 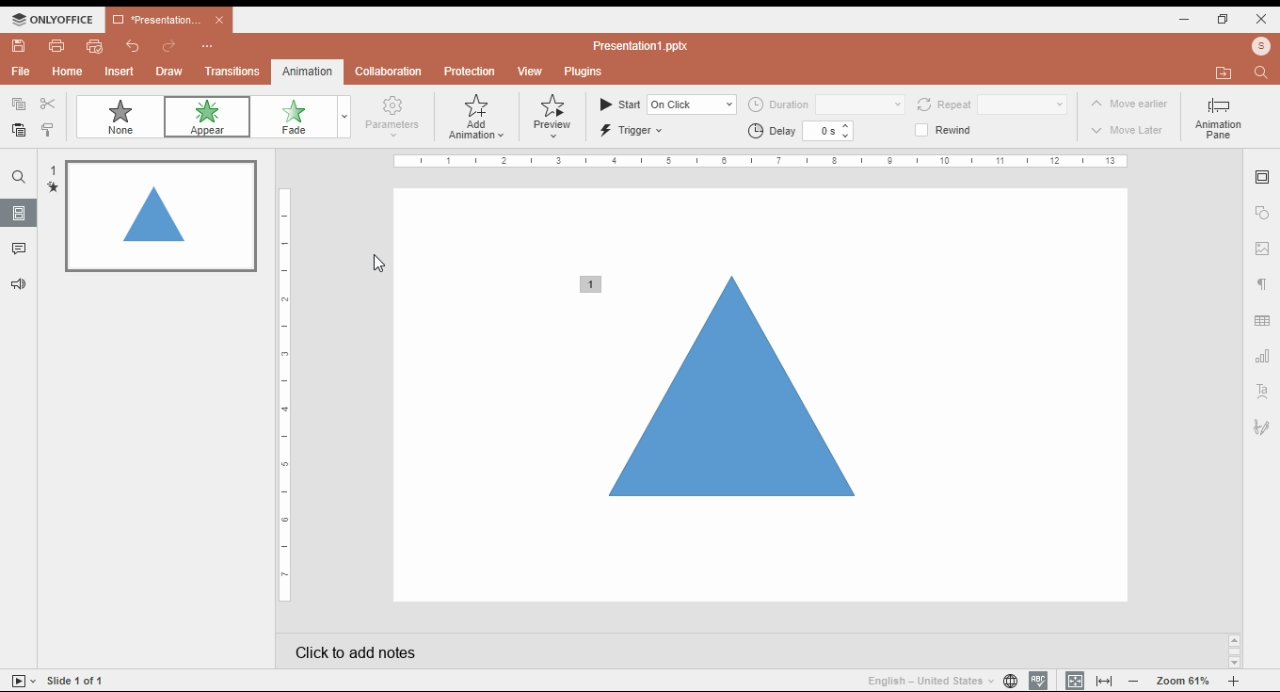 I want to click on protection, so click(x=472, y=71).